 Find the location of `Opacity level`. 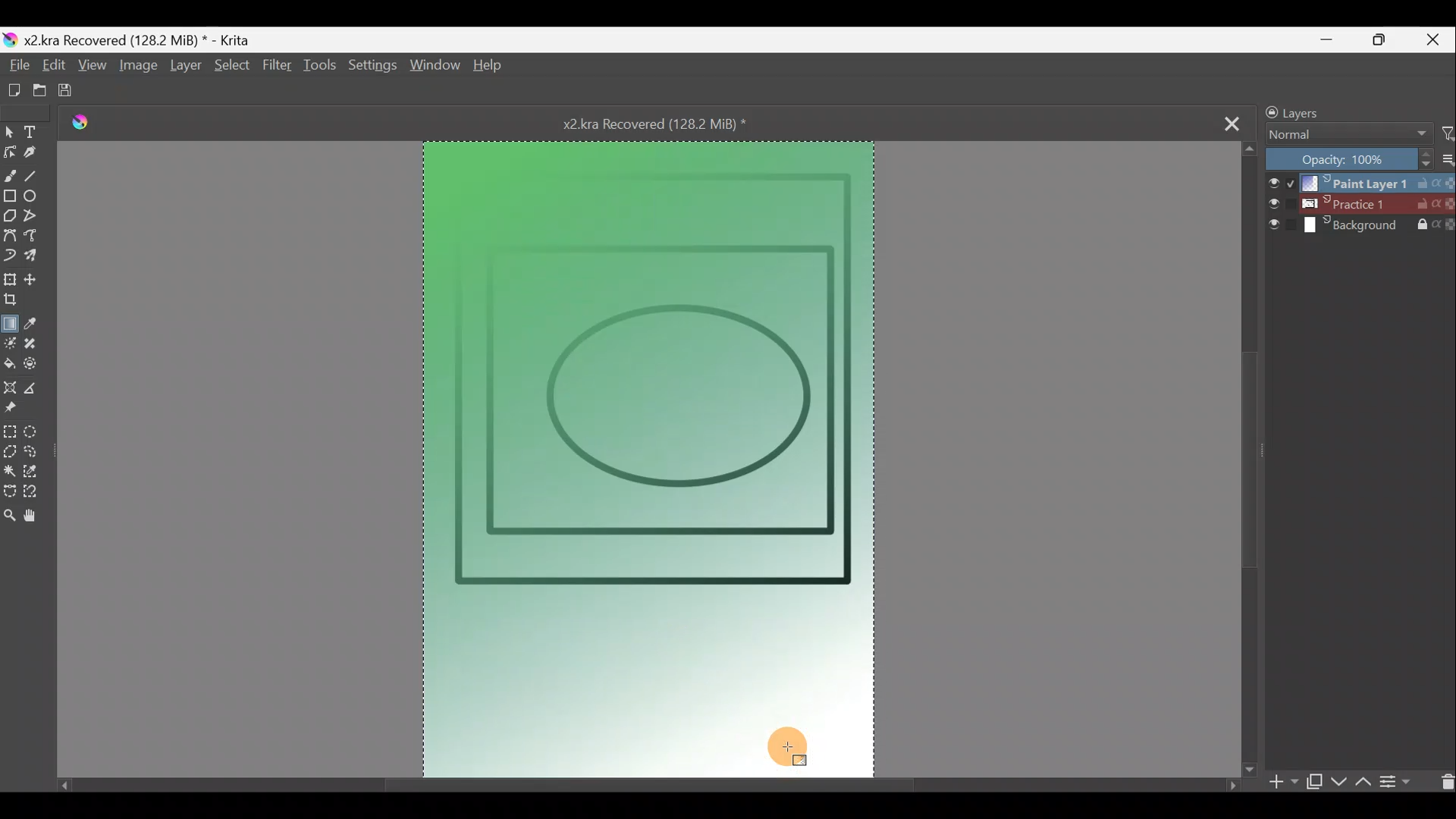

Opacity level is located at coordinates (1359, 158).